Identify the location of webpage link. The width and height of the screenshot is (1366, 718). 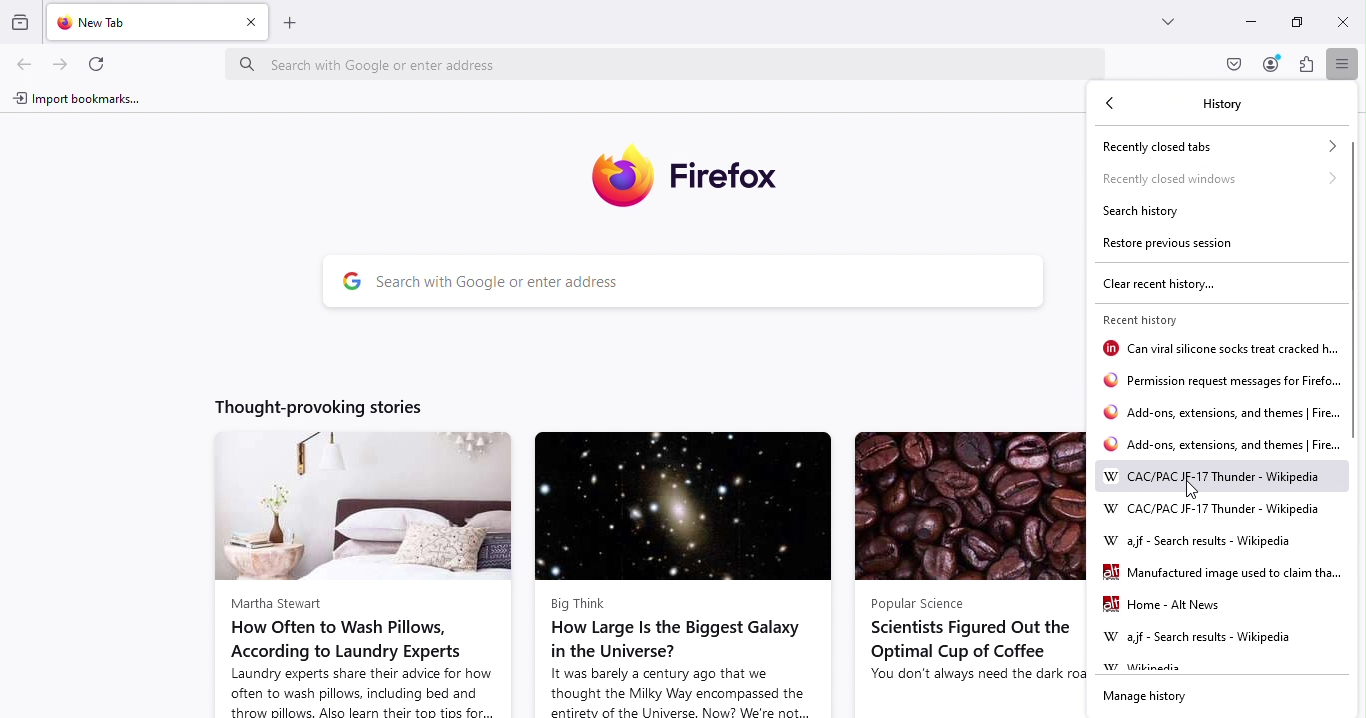
(1202, 639).